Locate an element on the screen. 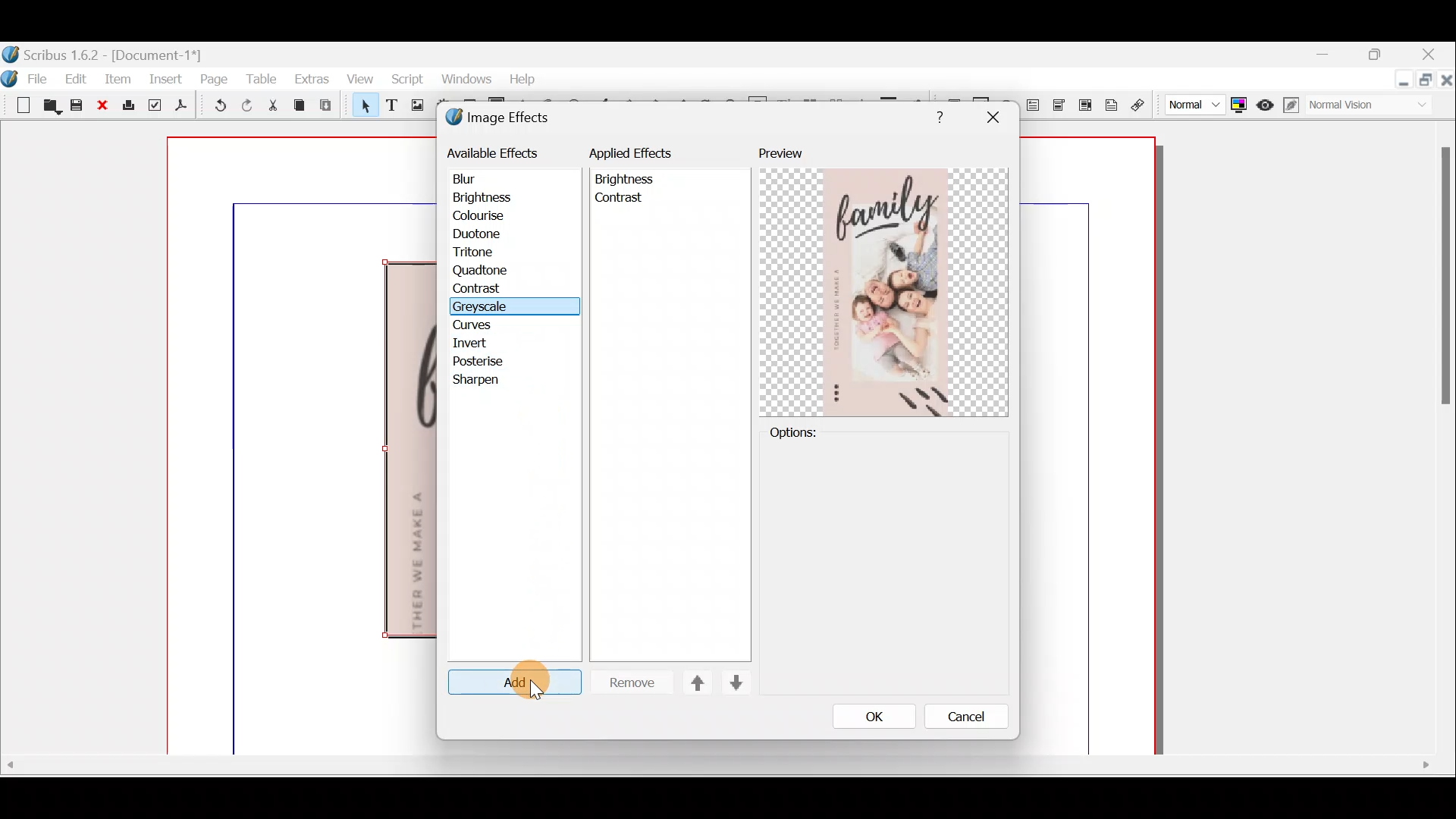 Image resolution: width=1456 pixels, height=819 pixels. close is located at coordinates (995, 116).